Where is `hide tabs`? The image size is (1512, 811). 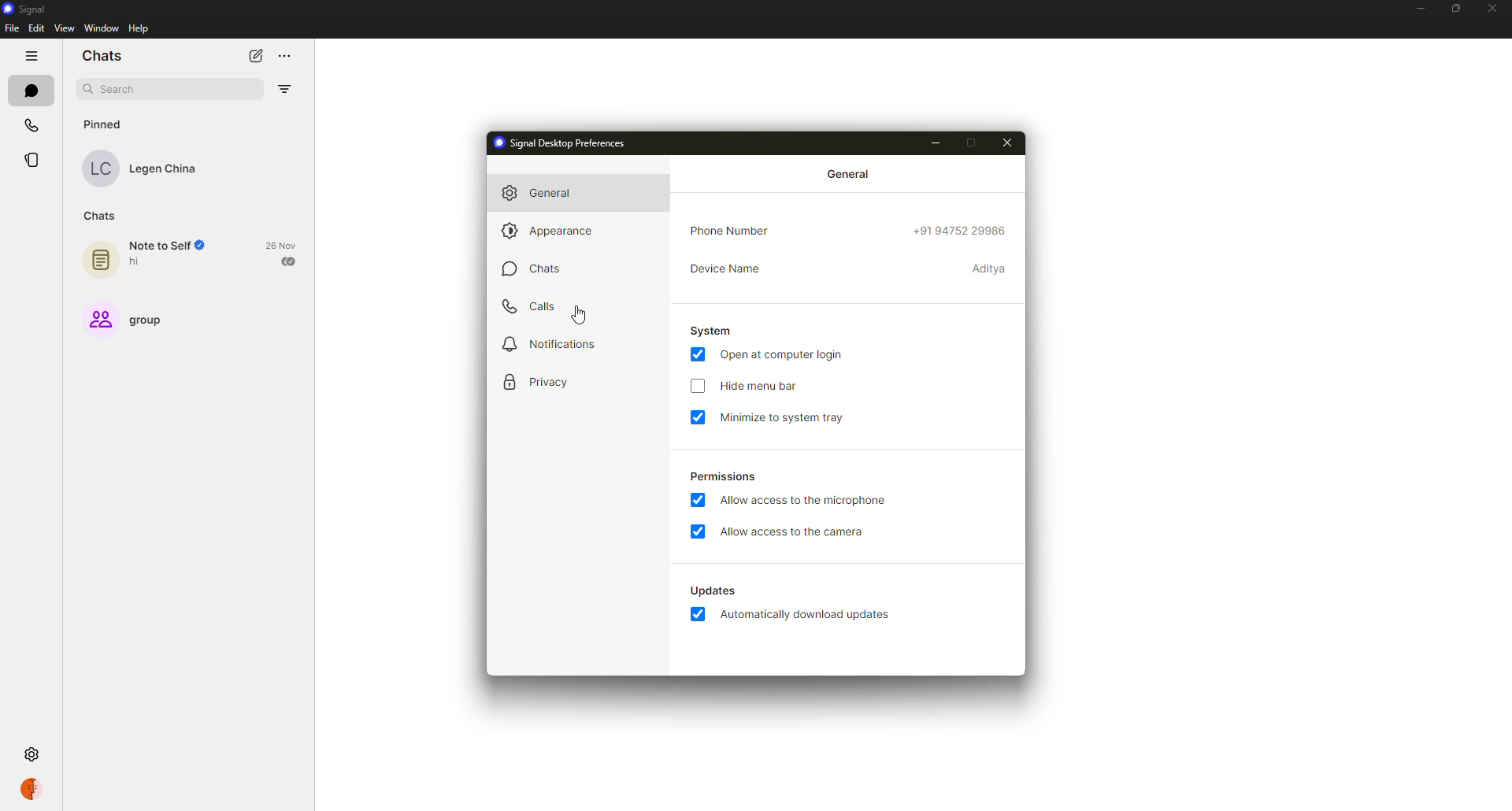
hide tabs is located at coordinates (31, 56).